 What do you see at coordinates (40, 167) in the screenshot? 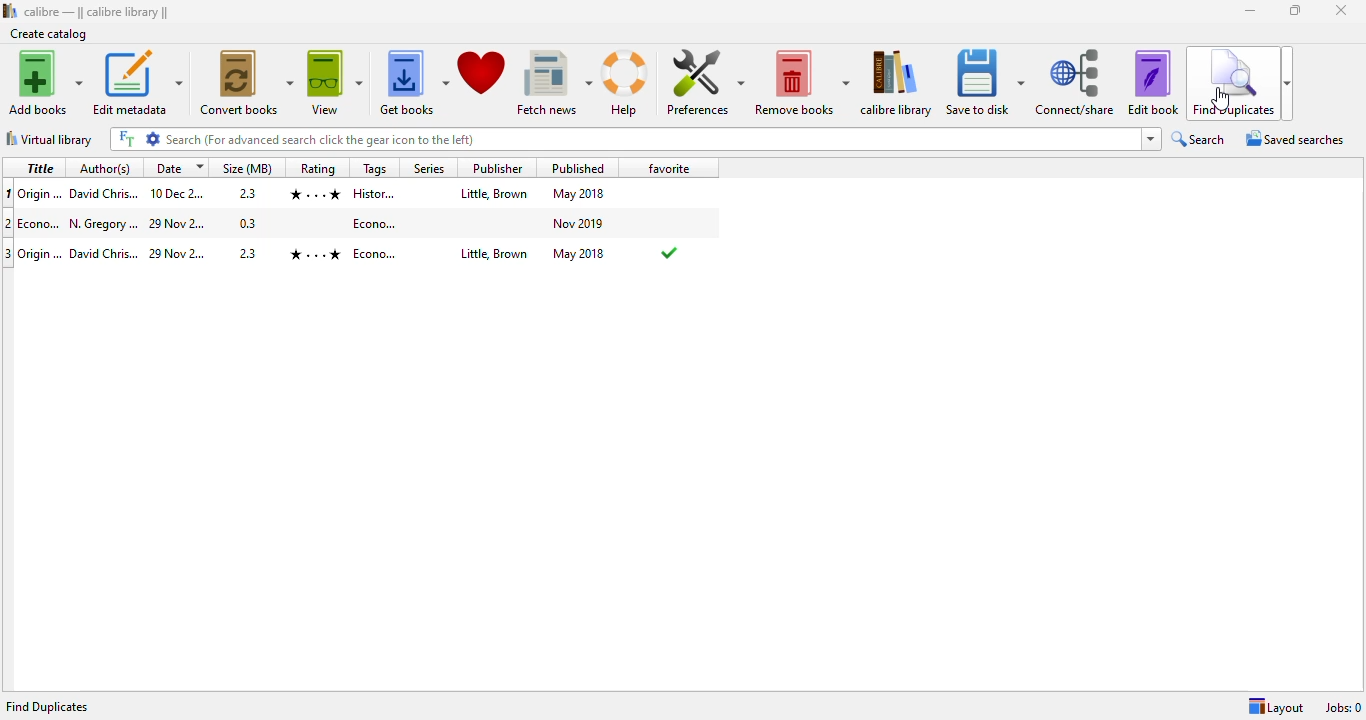
I see `title` at bounding box center [40, 167].